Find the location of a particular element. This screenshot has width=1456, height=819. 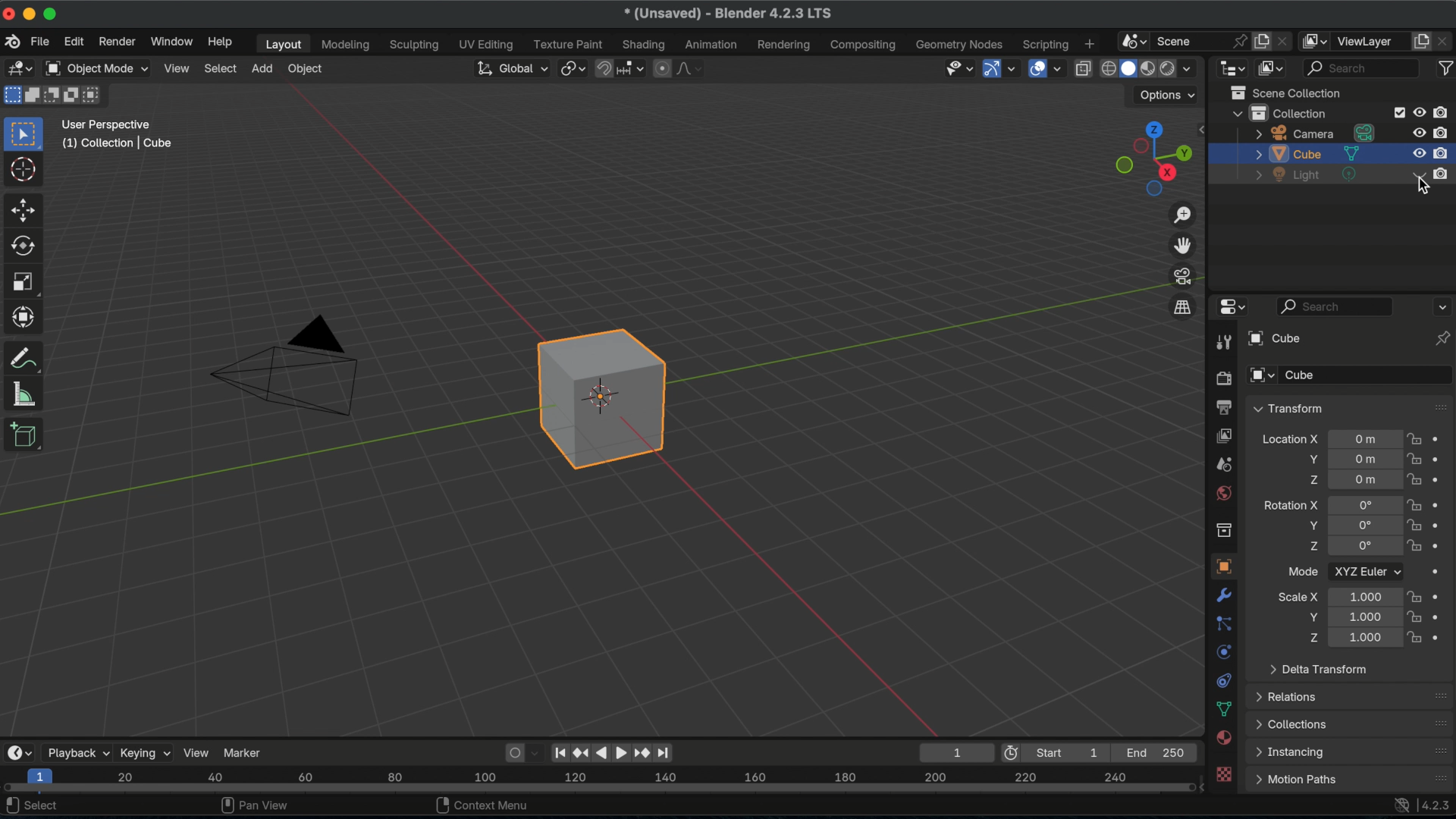

scene name is located at coordinates (1175, 39).